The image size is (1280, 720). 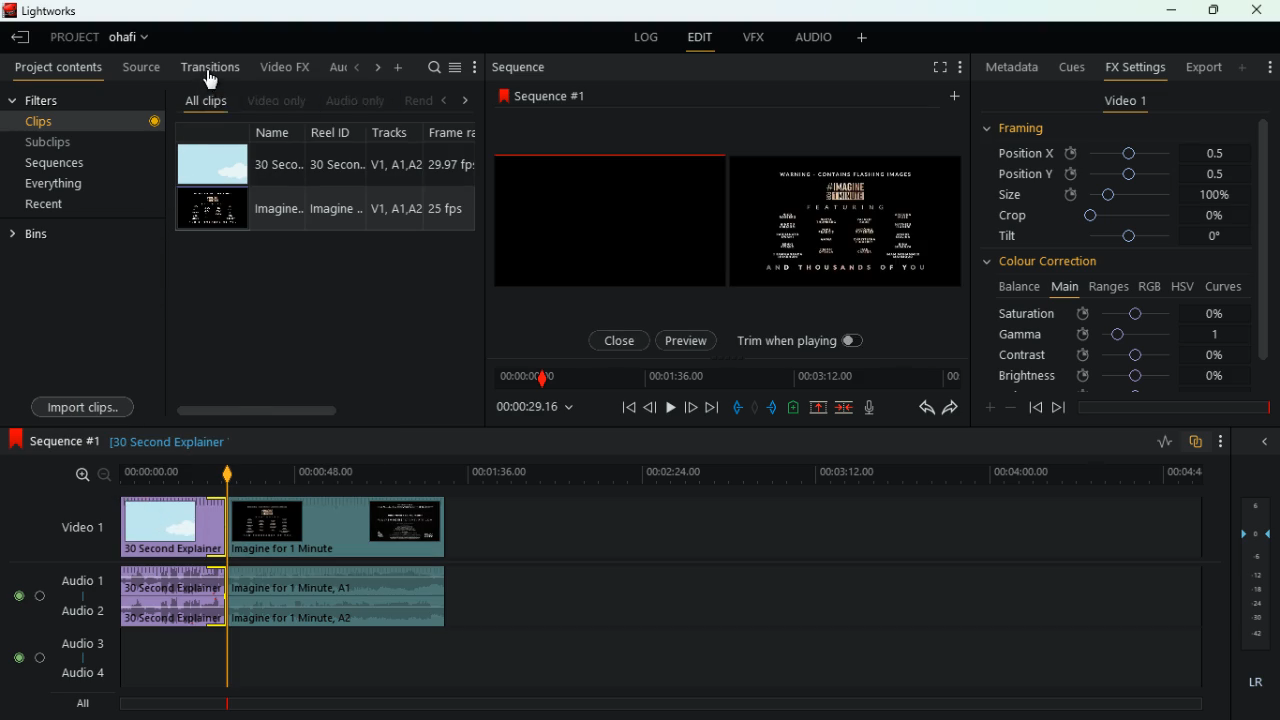 I want to click on radio button, so click(x=25, y=621).